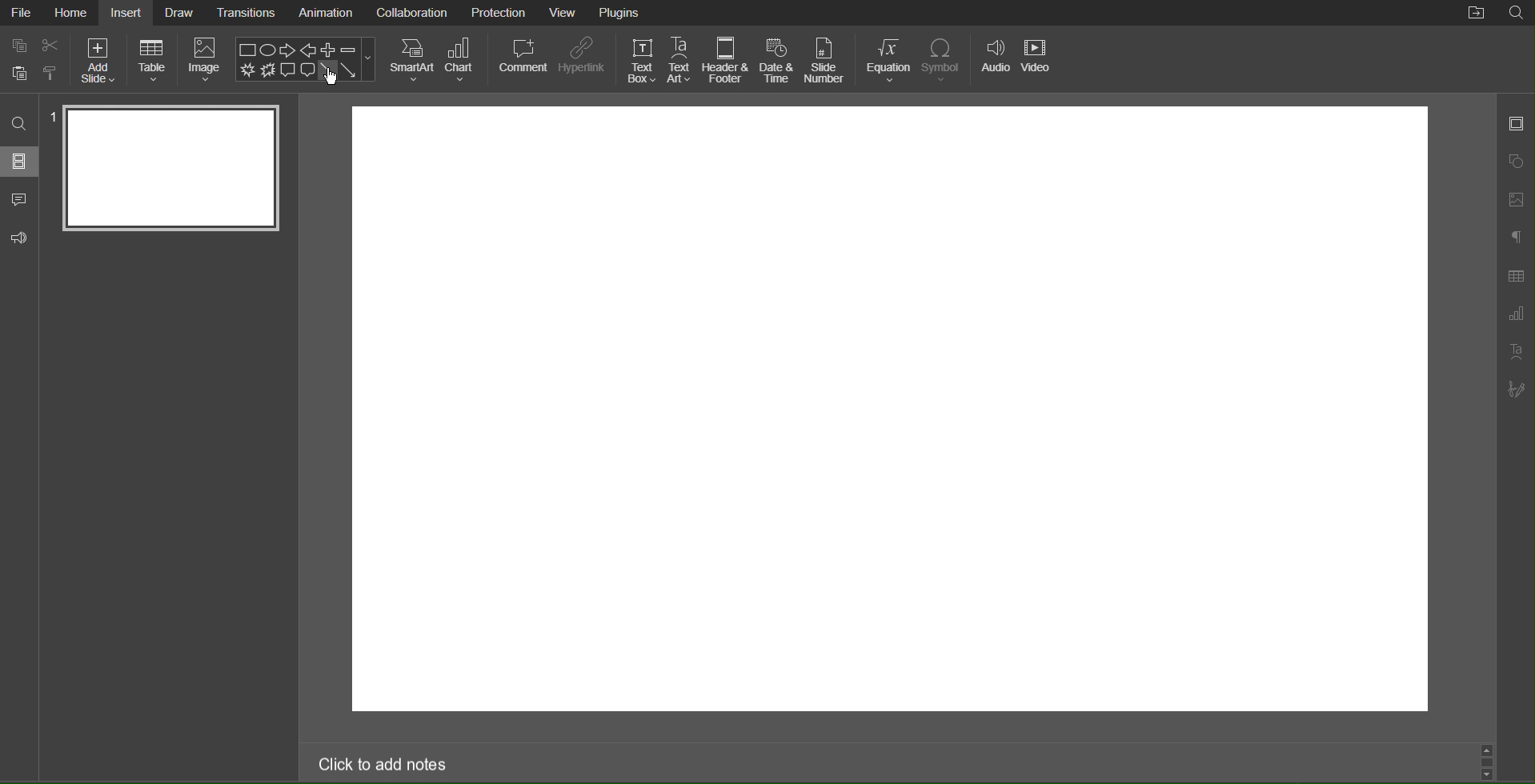  Describe the element at coordinates (125, 13) in the screenshot. I see `Insert` at that location.